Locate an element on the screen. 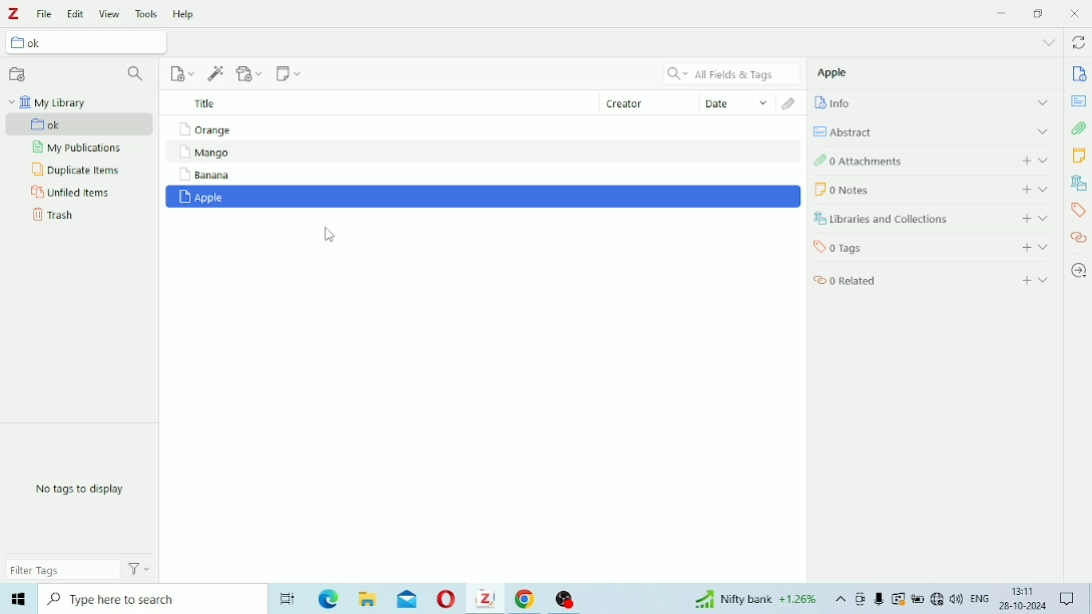  Add items by identifier is located at coordinates (216, 73).